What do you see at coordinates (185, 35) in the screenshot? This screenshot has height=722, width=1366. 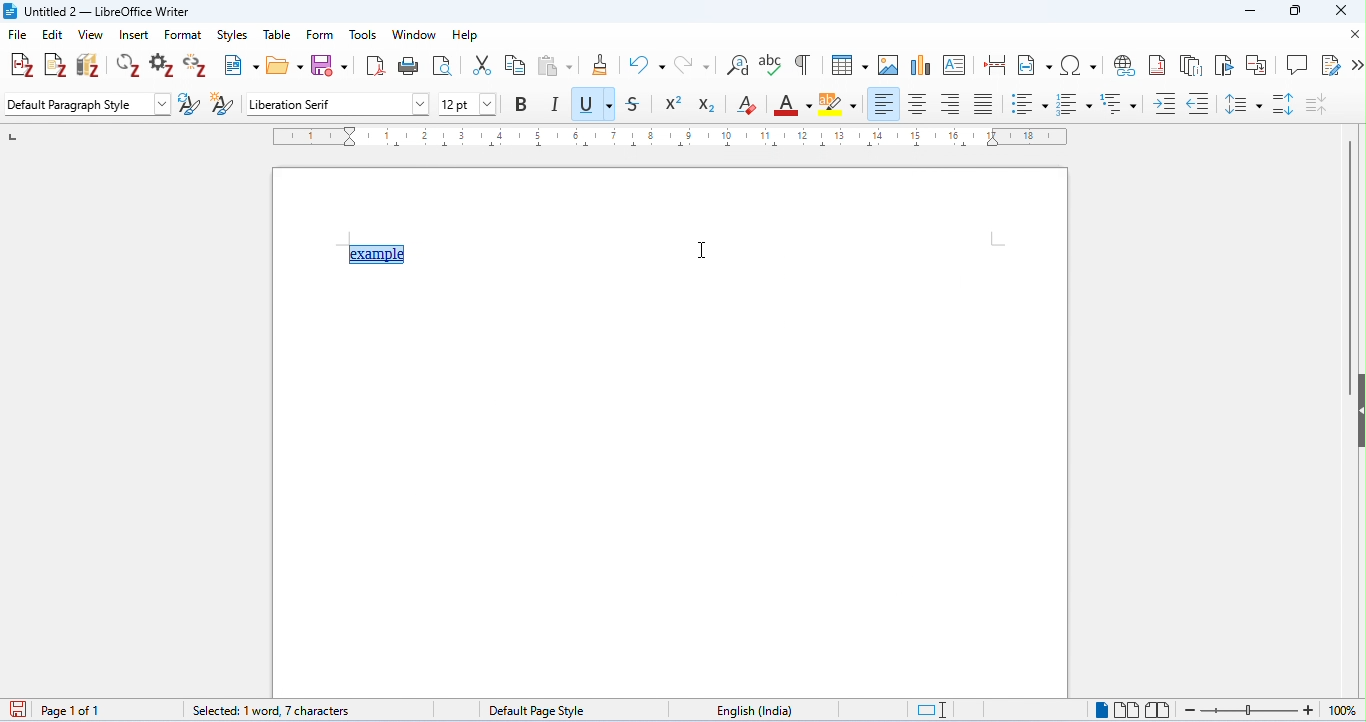 I see `format` at bounding box center [185, 35].